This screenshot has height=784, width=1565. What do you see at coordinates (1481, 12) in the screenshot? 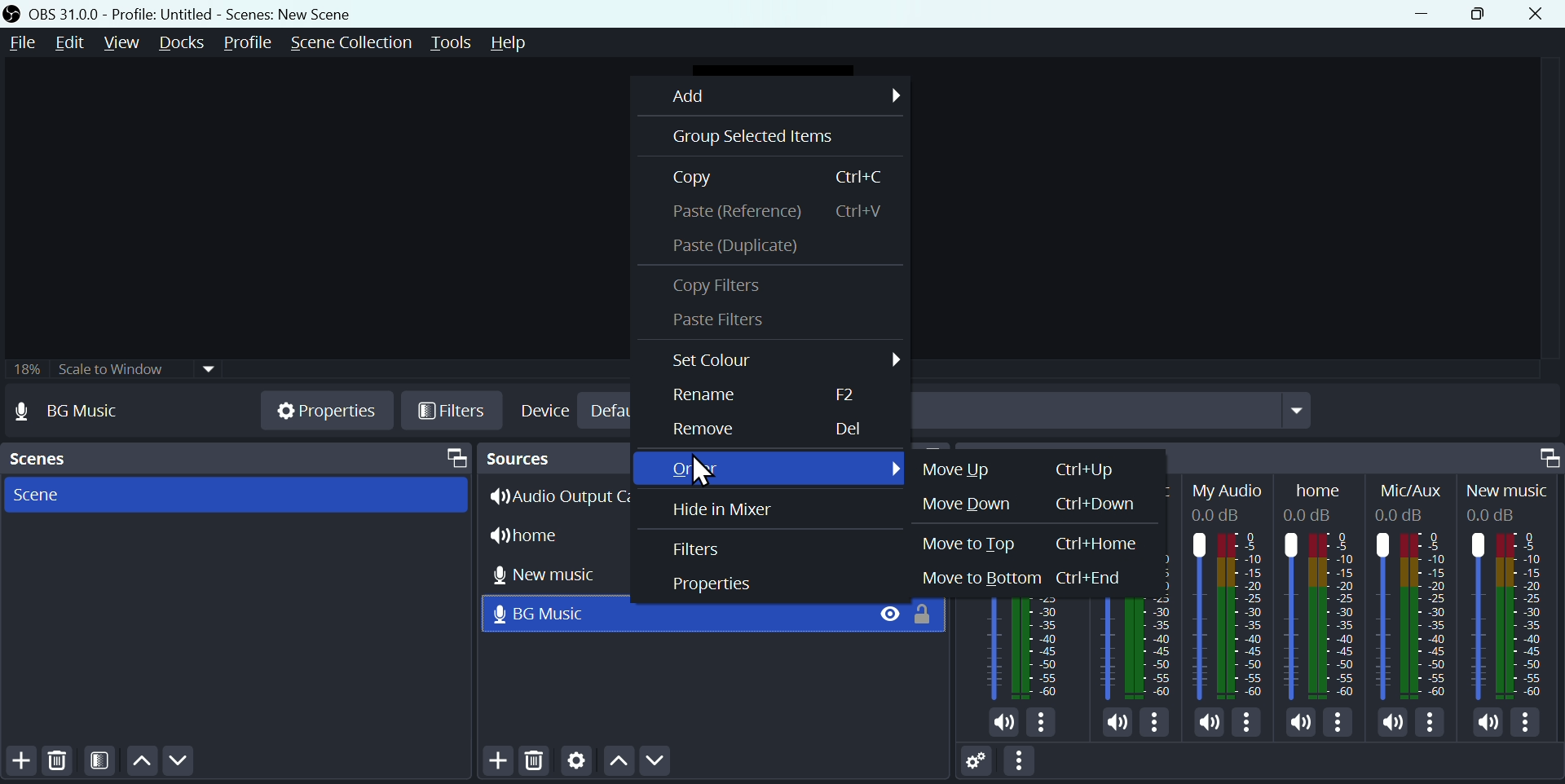
I see `Maximise` at bounding box center [1481, 12].